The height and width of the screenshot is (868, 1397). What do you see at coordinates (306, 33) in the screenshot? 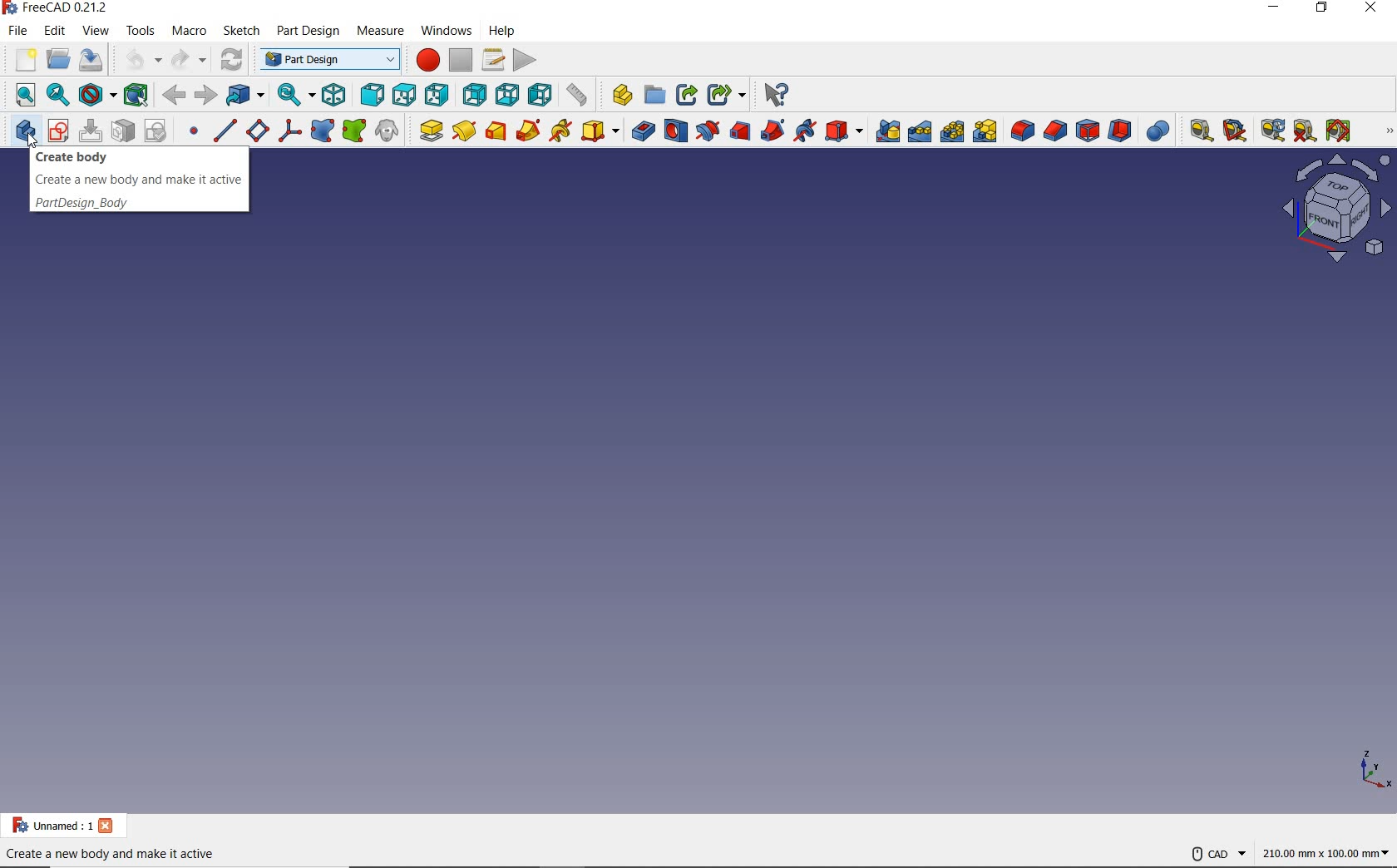
I see `Part design` at bounding box center [306, 33].